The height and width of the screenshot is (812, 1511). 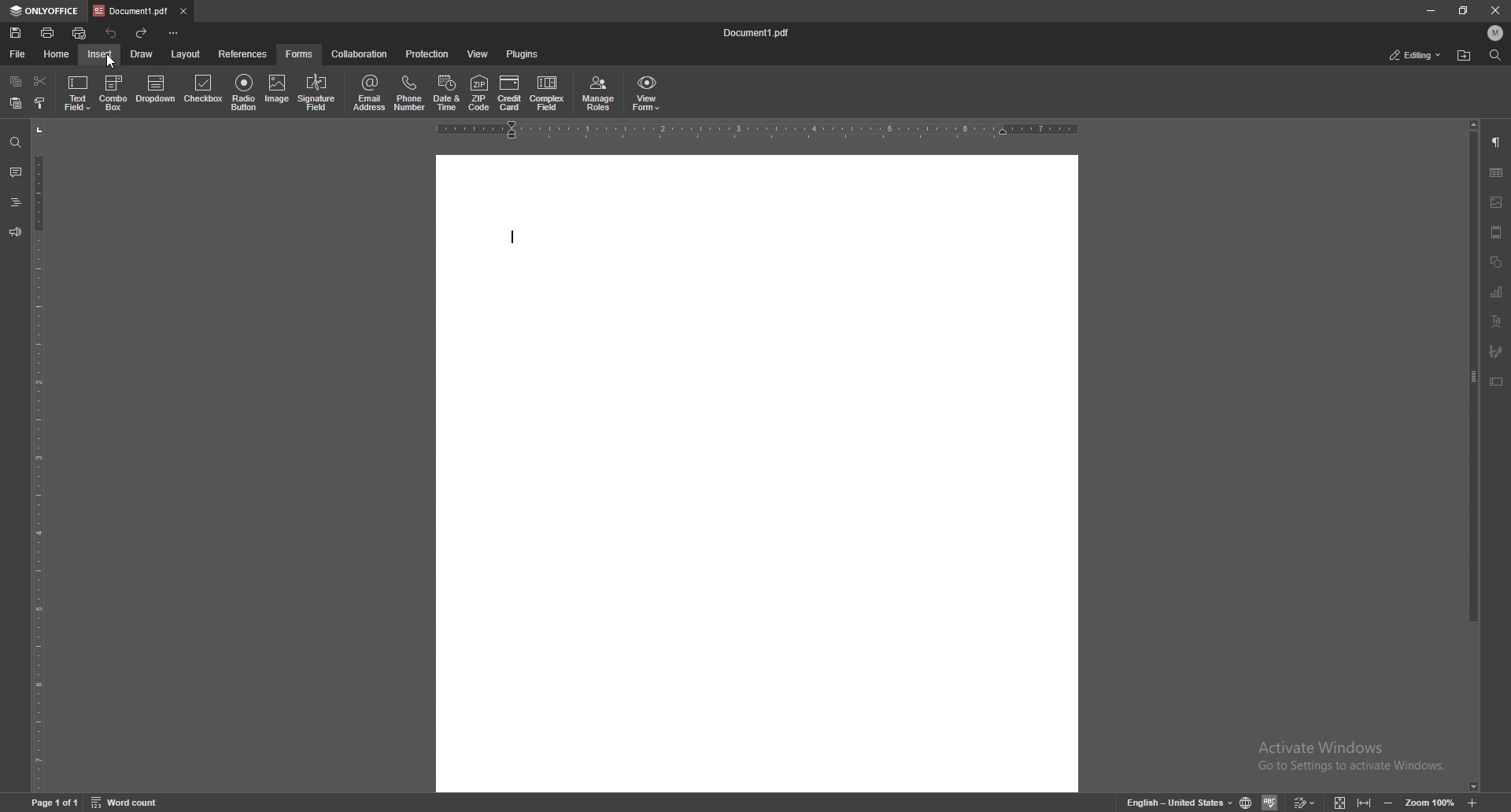 What do you see at coordinates (523, 54) in the screenshot?
I see `plugins` at bounding box center [523, 54].